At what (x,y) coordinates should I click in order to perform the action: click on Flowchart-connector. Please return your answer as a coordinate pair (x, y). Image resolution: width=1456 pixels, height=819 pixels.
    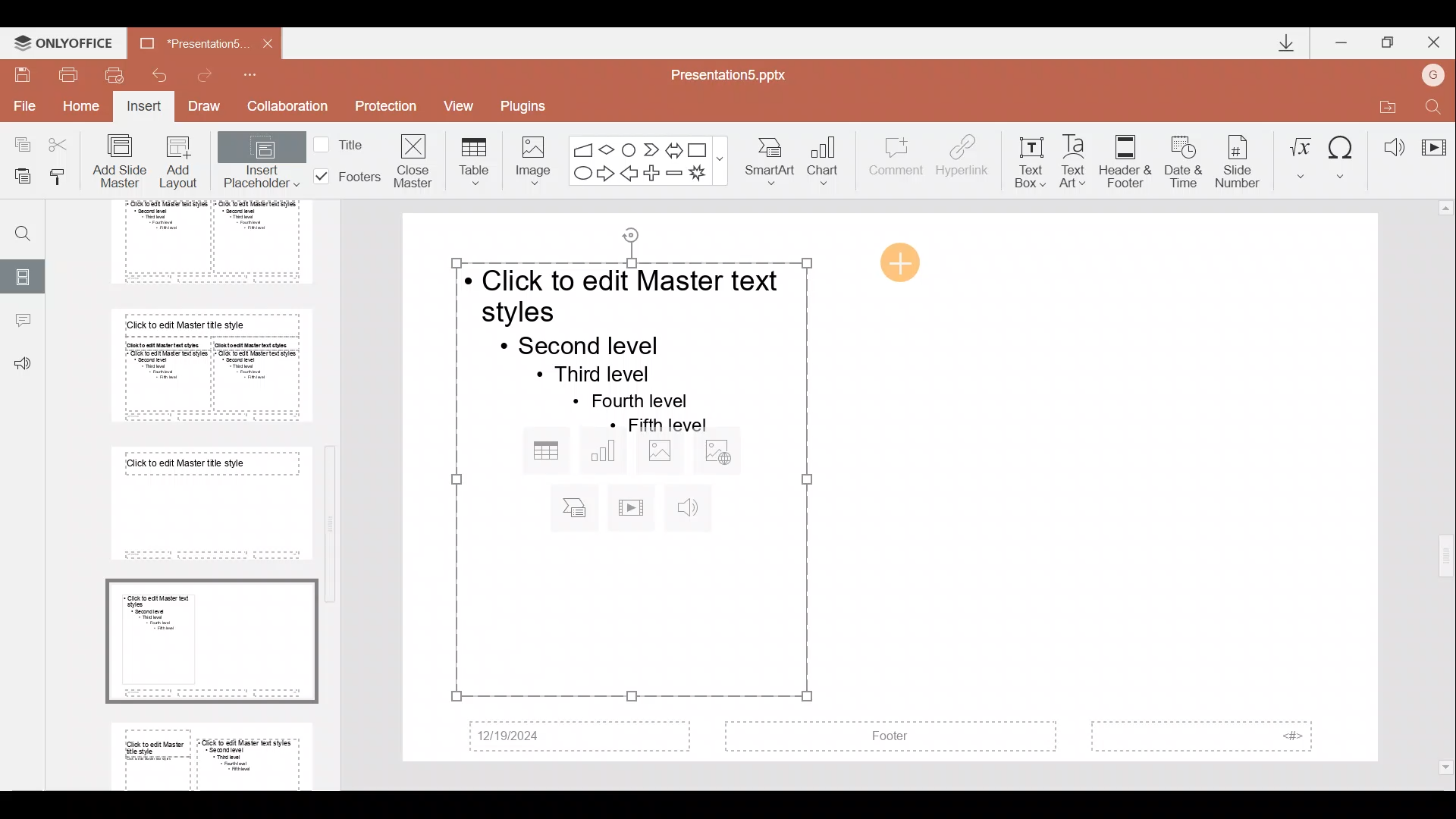
    Looking at the image, I should click on (629, 146).